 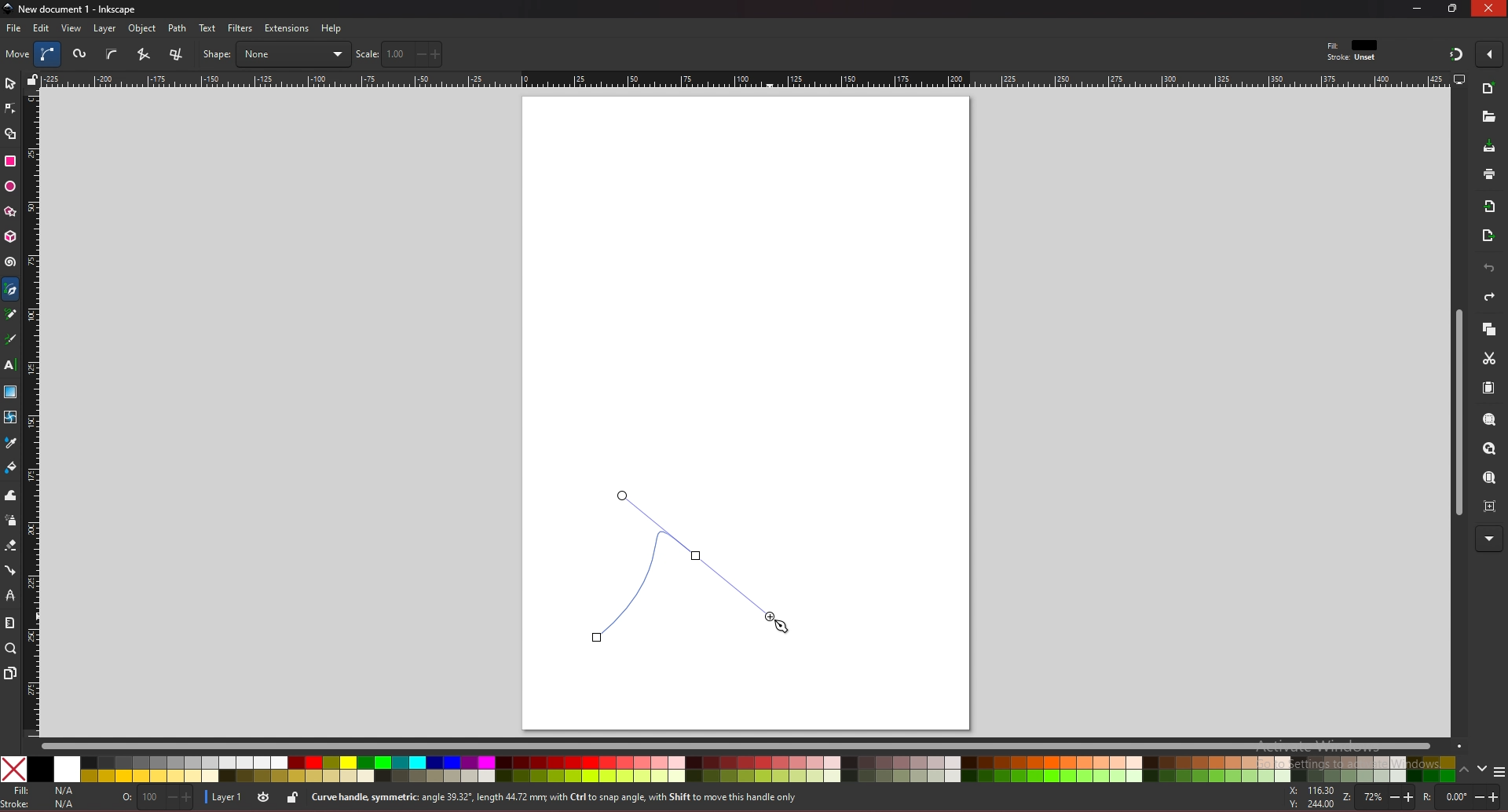 What do you see at coordinates (11, 648) in the screenshot?
I see `zoom` at bounding box center [11, 648].